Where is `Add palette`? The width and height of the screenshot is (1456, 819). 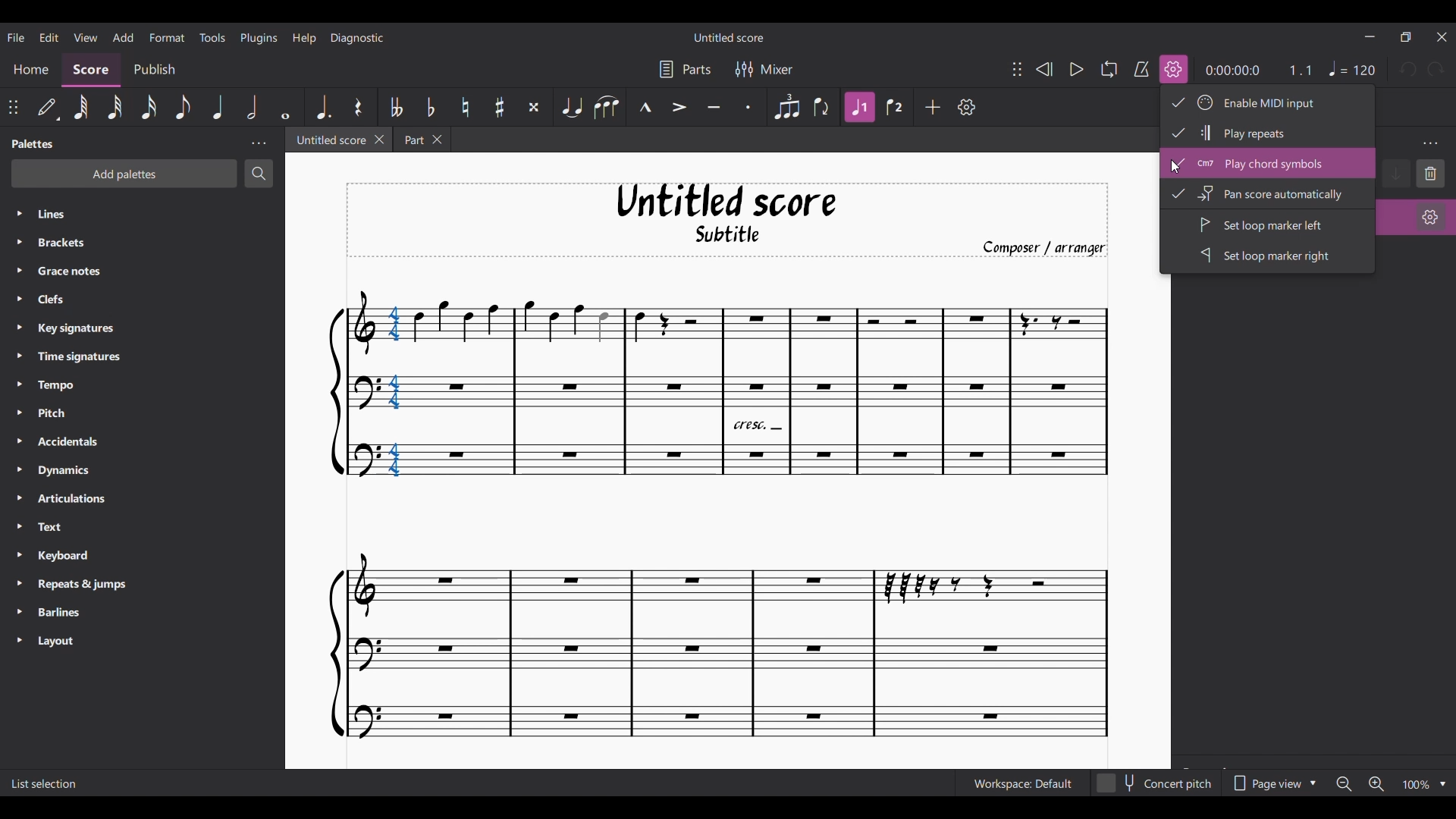
Add palette is located at coordinates (124, 174).